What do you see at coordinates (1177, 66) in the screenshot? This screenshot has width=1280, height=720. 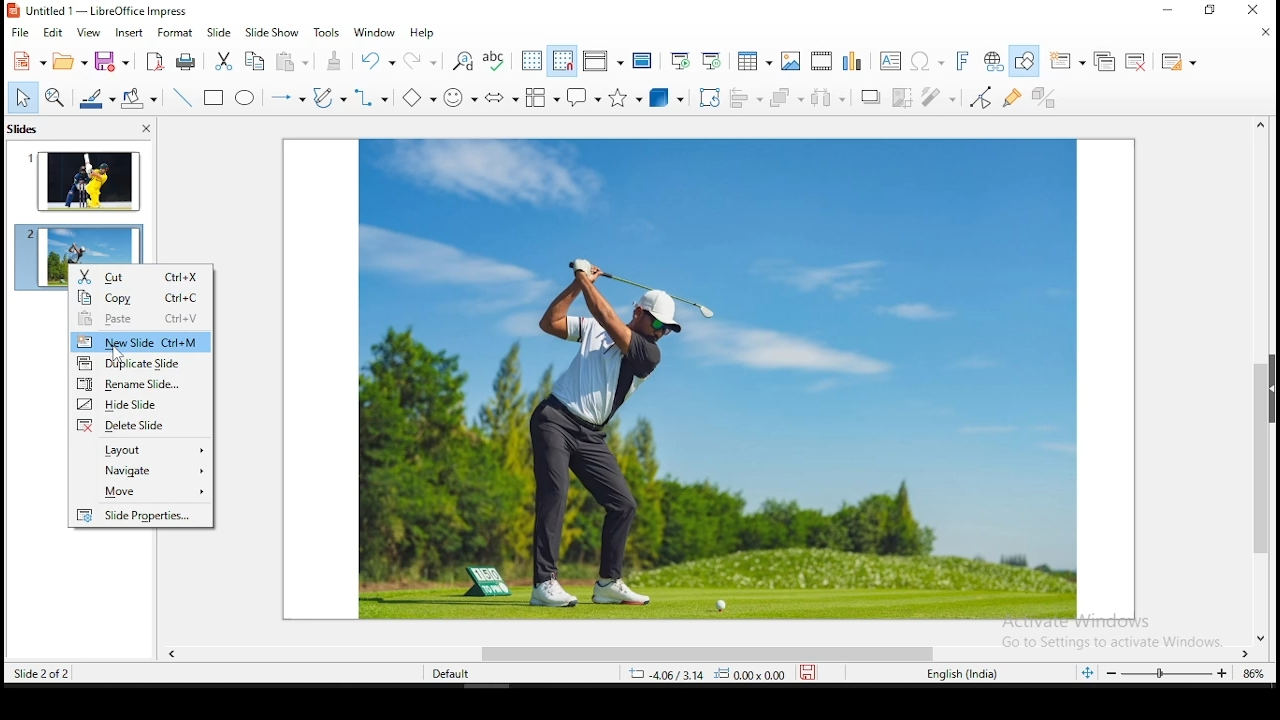 I see `slide layout` at bounding box center [1177, 66].